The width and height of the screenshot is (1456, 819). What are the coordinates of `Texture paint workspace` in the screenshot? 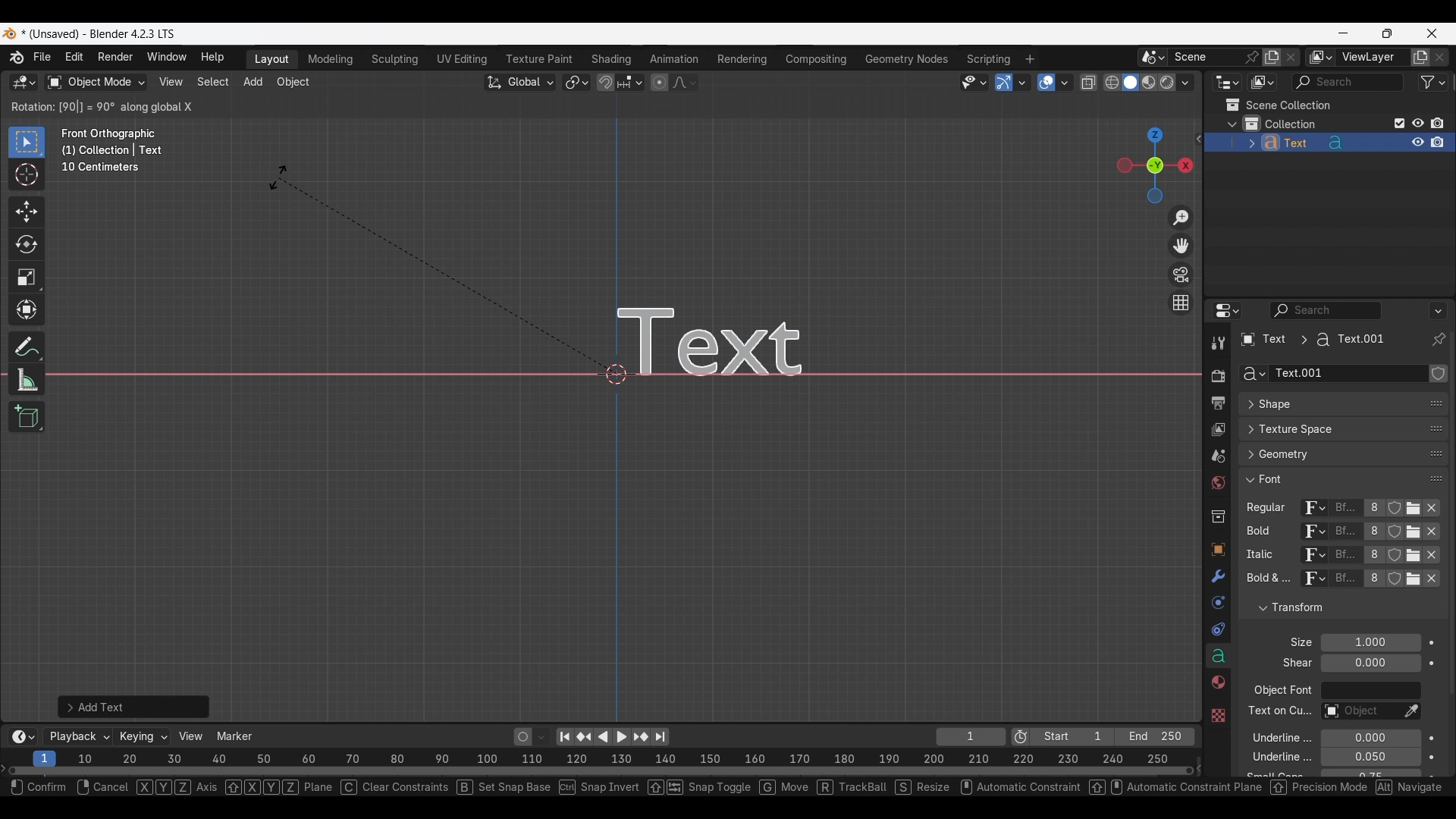 It's located at (541, 59).